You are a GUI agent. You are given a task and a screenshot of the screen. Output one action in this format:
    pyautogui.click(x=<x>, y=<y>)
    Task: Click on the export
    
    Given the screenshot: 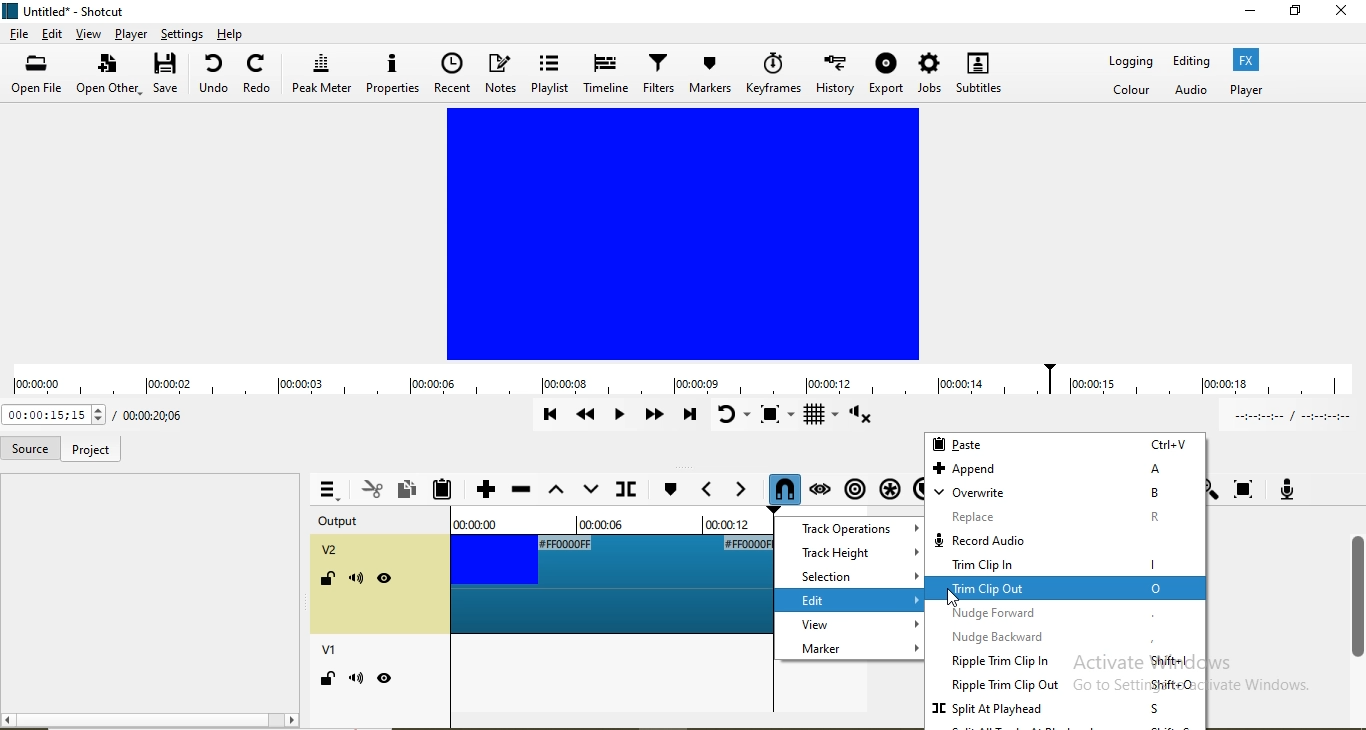 What is the action you would take?
    pyautogui.click(x=887, y=73)
    